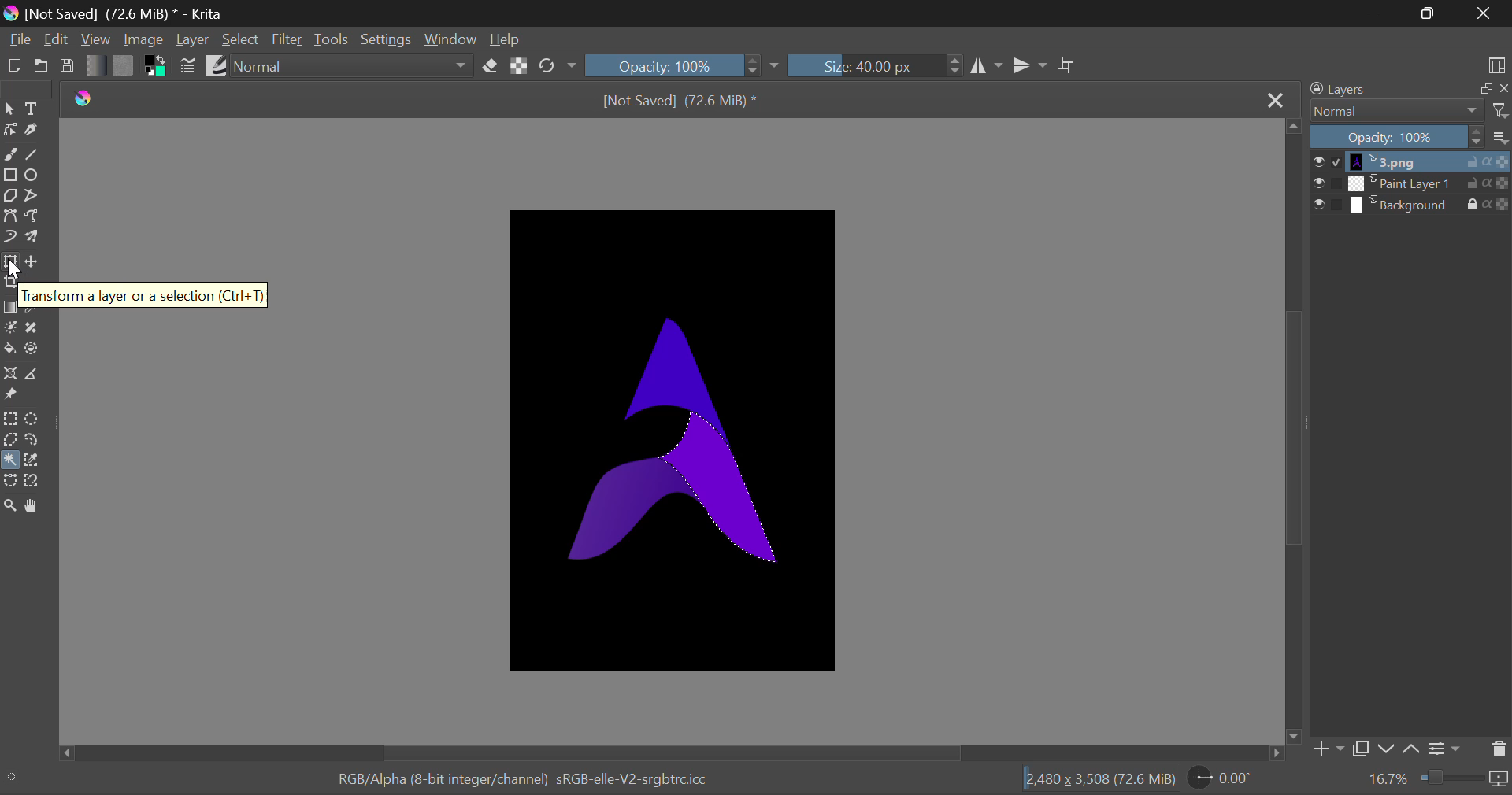 The image size is (1512, 795). Describe the element at coordinates (123, 65) in the screenshot. I see `Pattern` at that location.